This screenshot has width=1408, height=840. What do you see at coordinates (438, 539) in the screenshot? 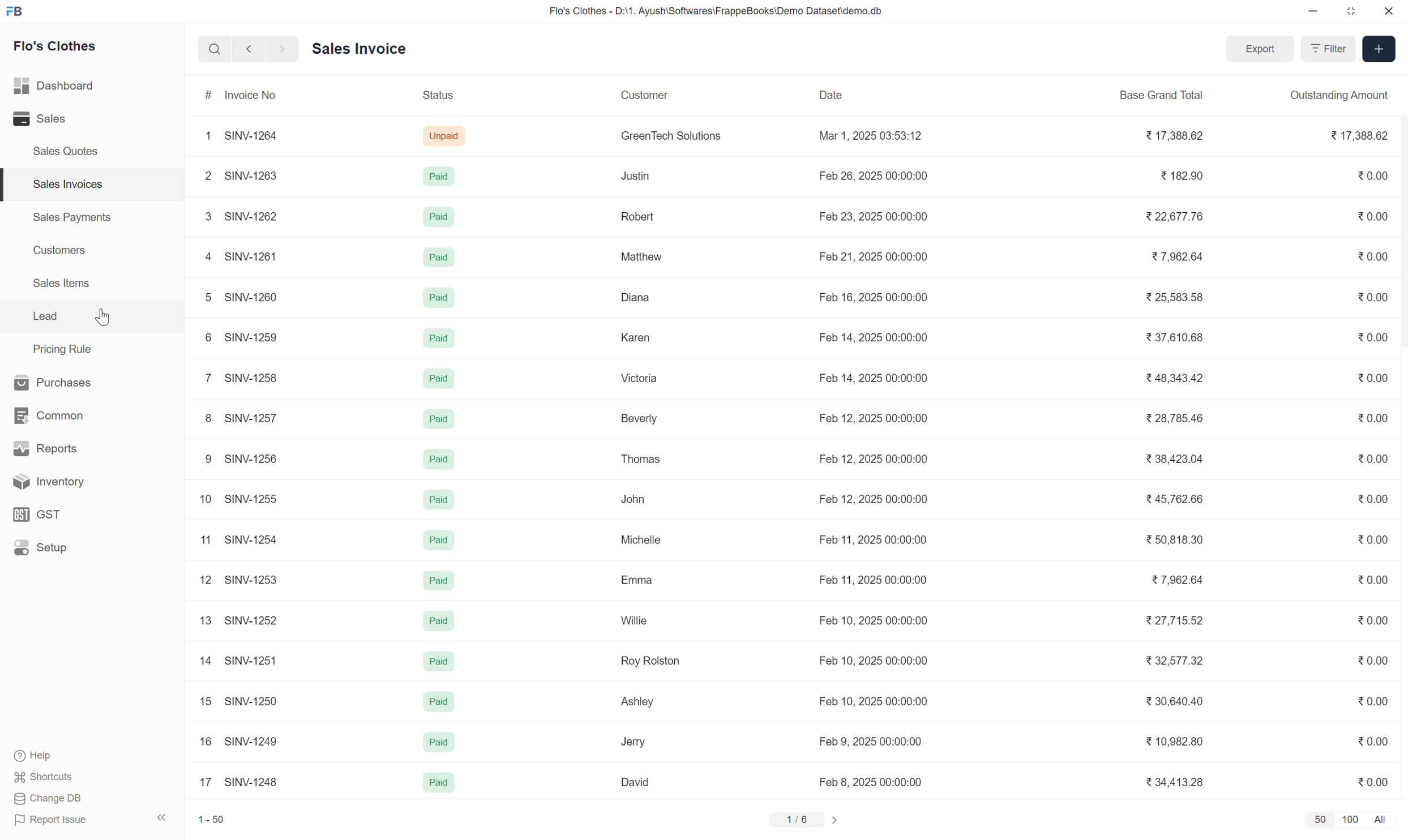
I see `Paid` at bounding box center [438, 539].